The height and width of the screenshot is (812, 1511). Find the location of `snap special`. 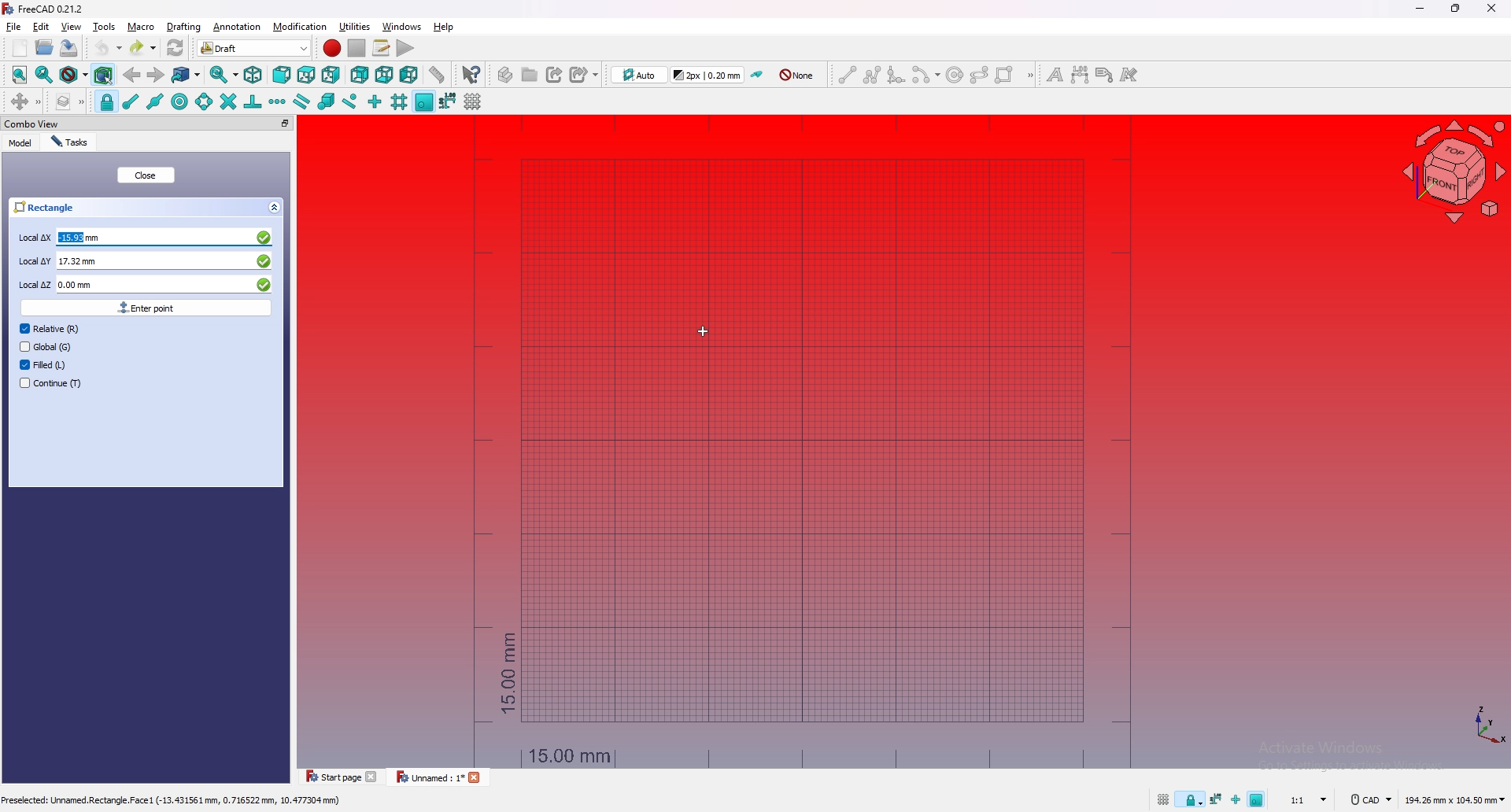

snap special is located at coordinates (325, 101).